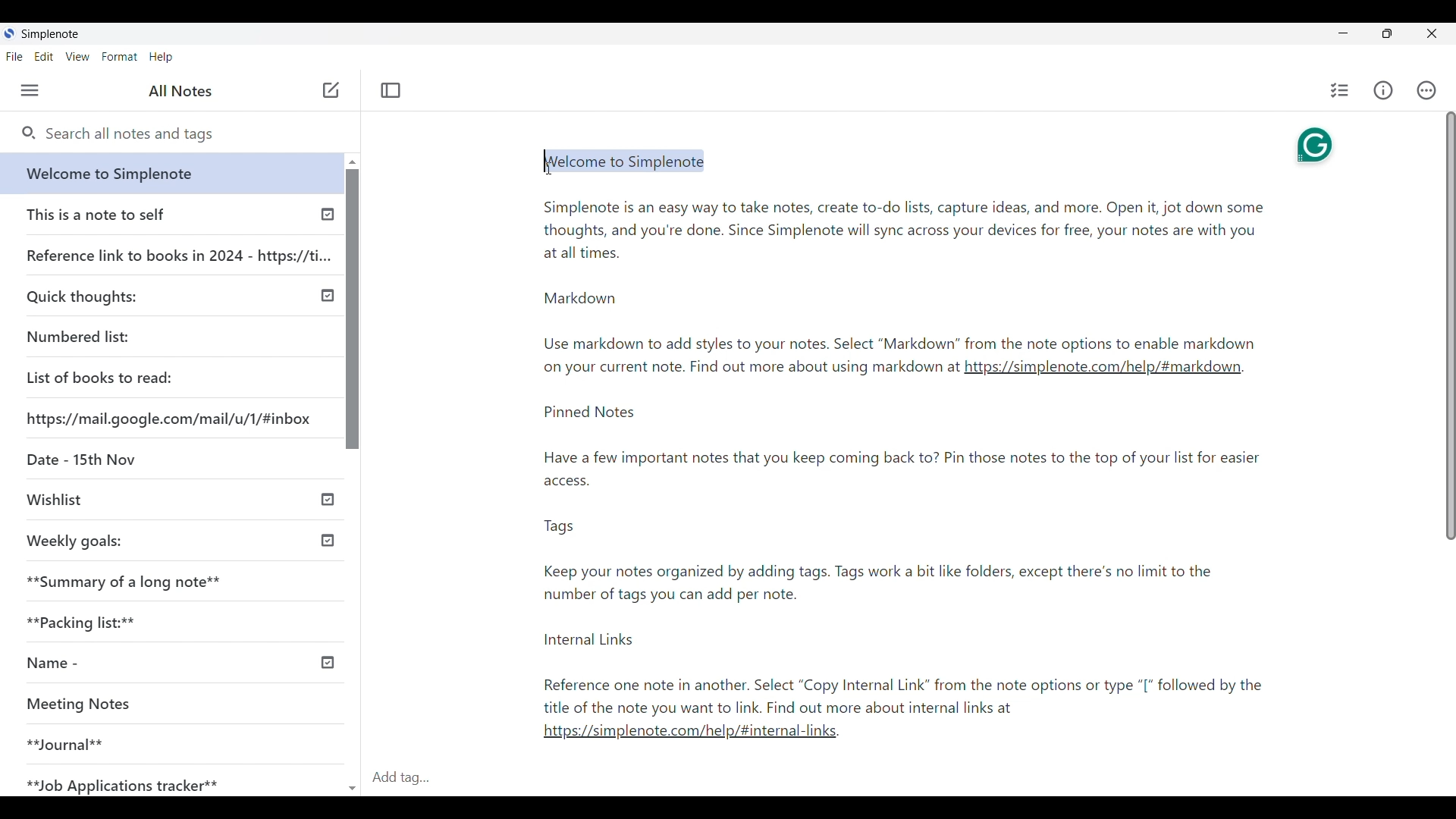 The height and width of the screenshot is (819, 1456). I want to click on text, so click(748, 369).